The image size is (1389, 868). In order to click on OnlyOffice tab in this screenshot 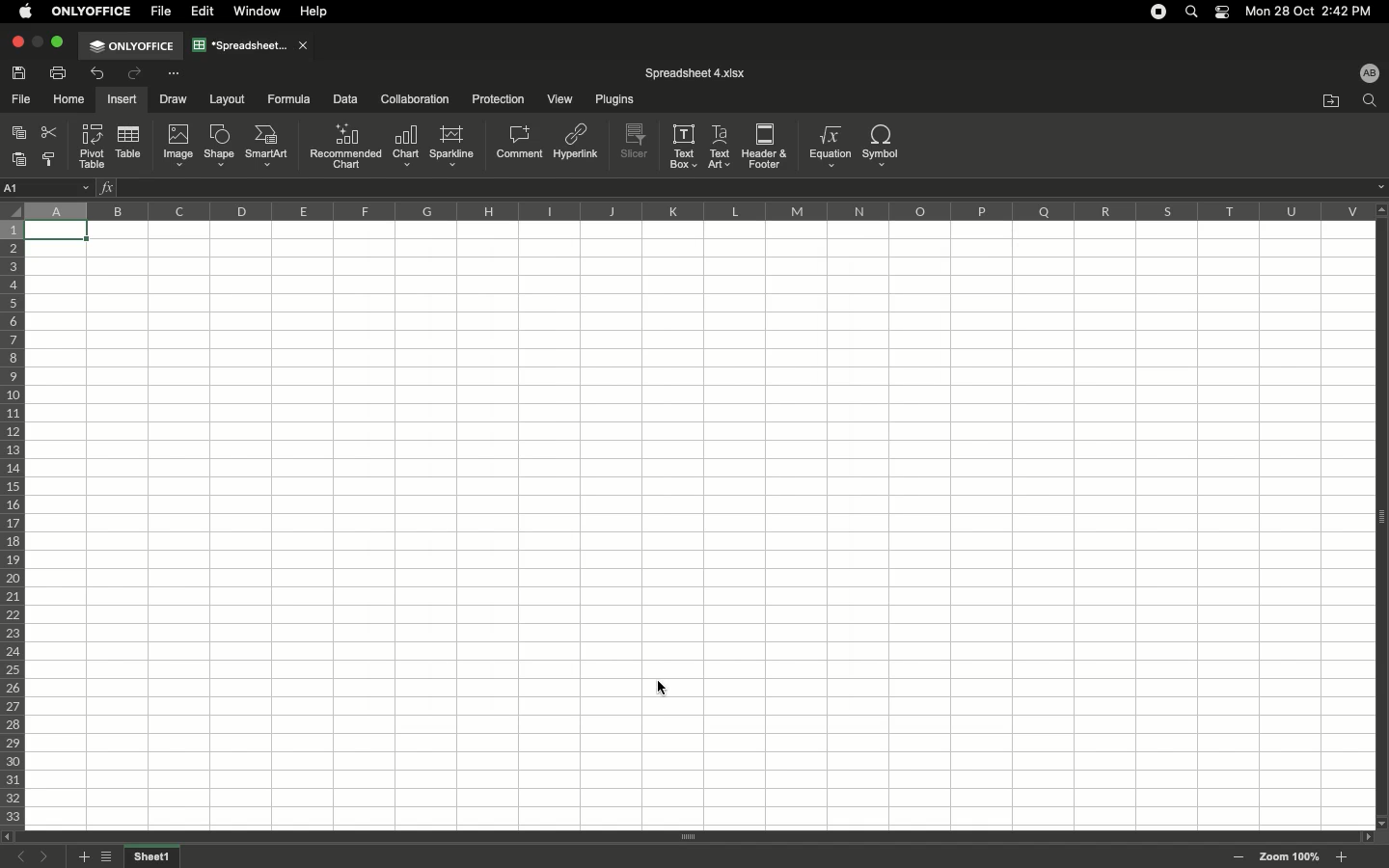, I will do `click(131, 46)`.